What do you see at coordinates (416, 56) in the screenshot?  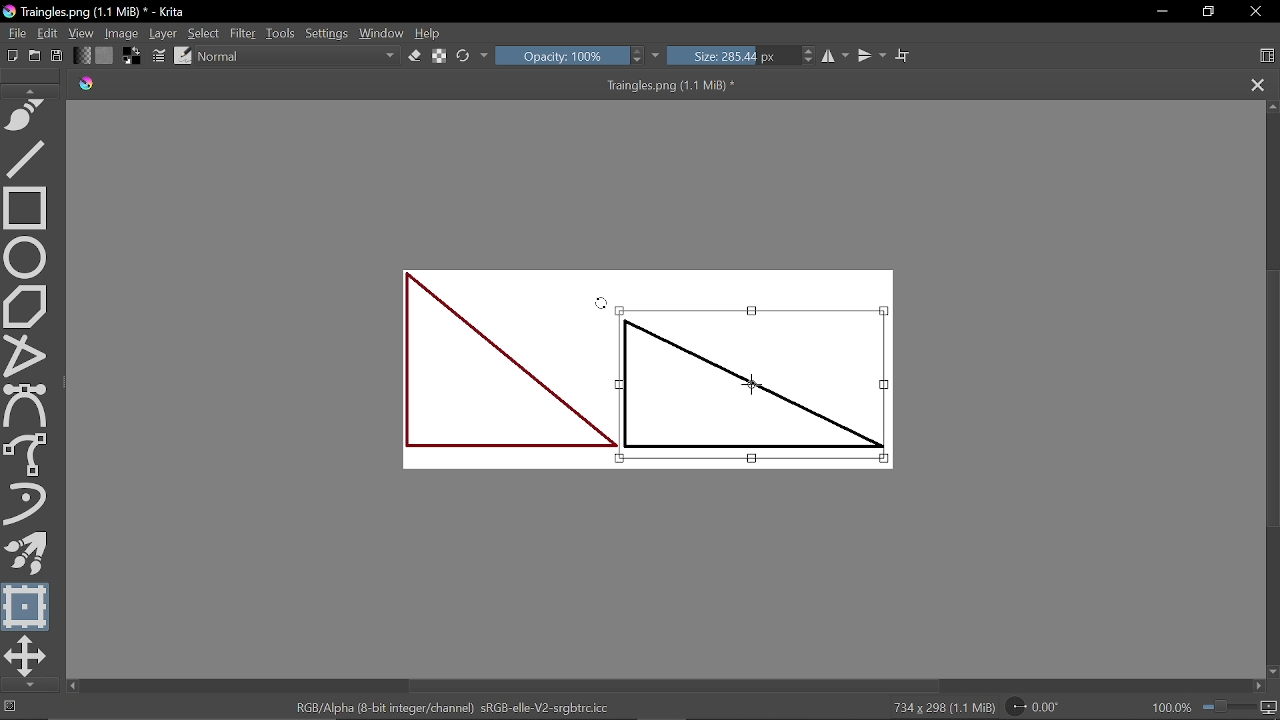 I see `Eraser` at bounding box center [416, 56].